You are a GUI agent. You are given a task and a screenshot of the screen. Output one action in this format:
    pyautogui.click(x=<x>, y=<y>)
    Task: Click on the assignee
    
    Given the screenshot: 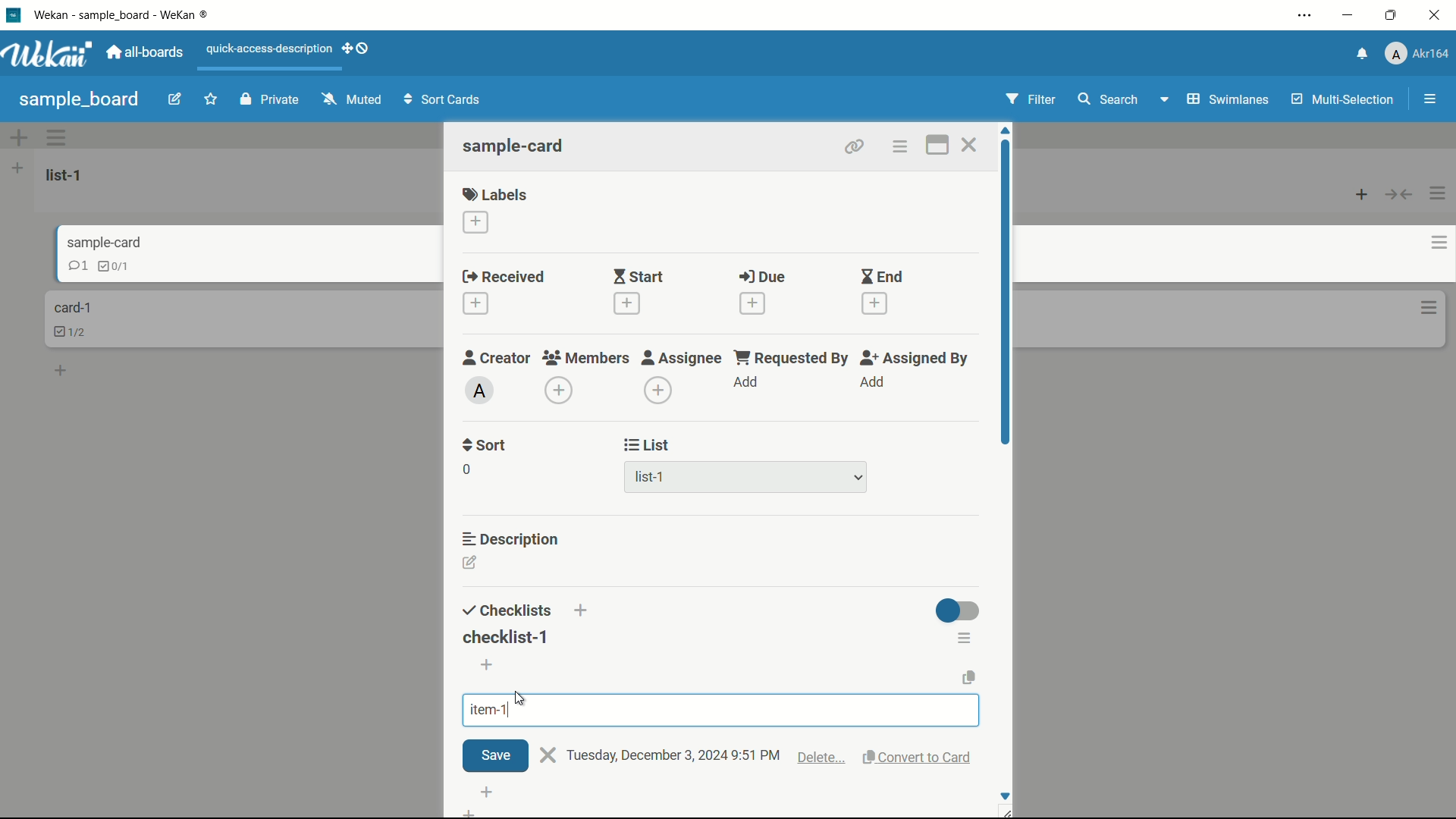 What is the action you would take?
    pyautogui.click(x=683, y=358)
    